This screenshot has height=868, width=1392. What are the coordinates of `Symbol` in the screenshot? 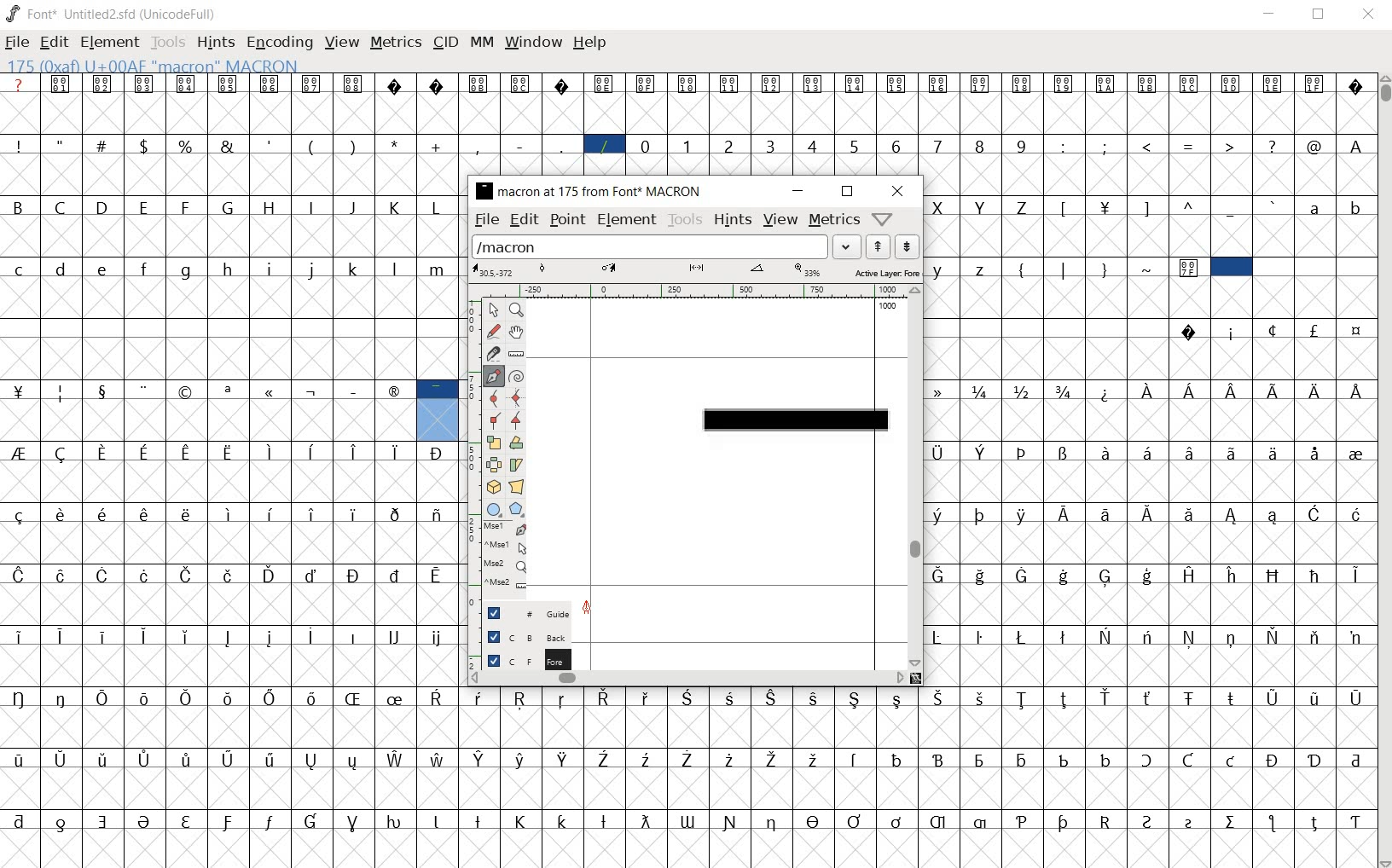 It's located at (1147, 390).